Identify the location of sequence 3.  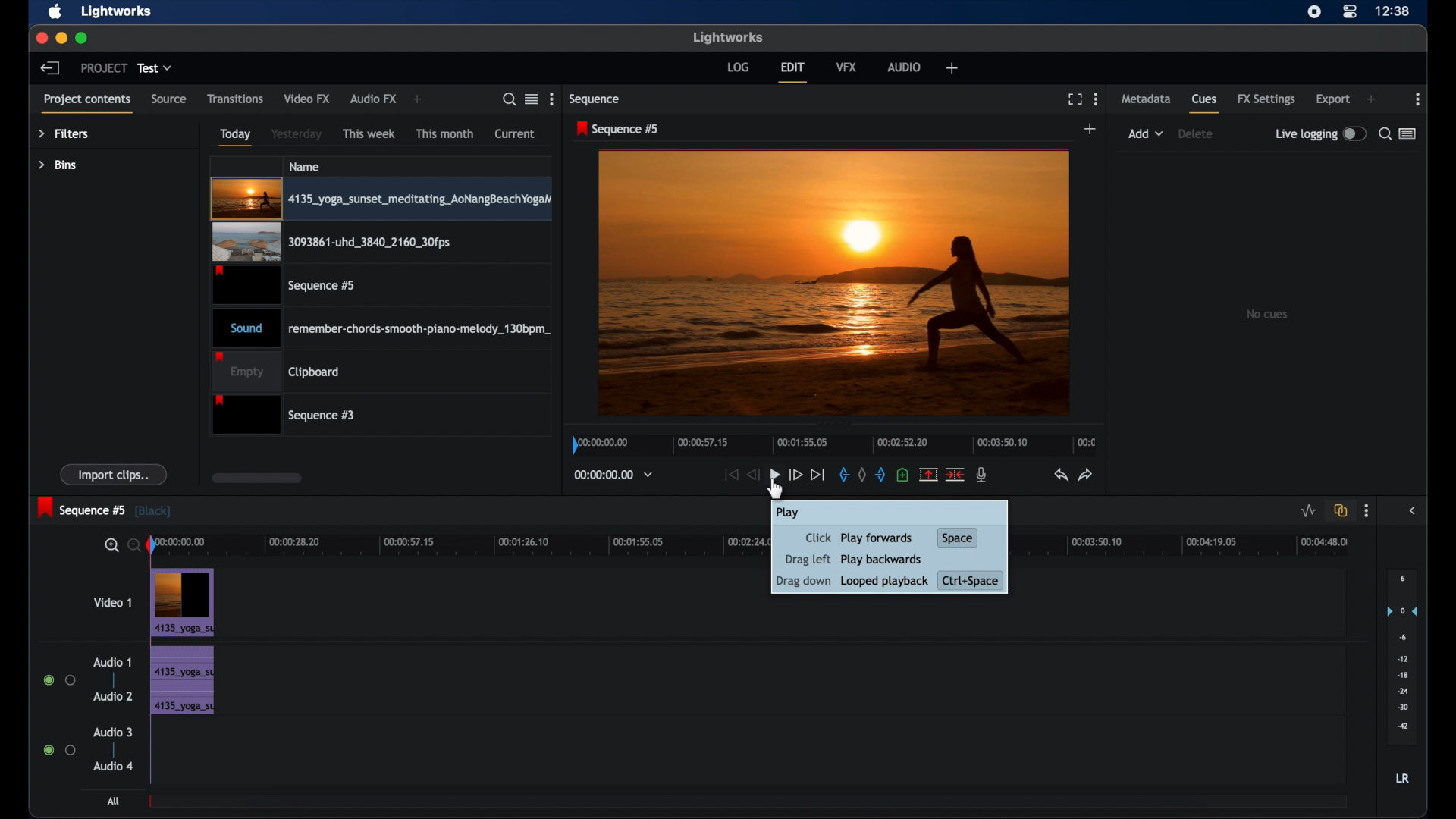
(288, 416).